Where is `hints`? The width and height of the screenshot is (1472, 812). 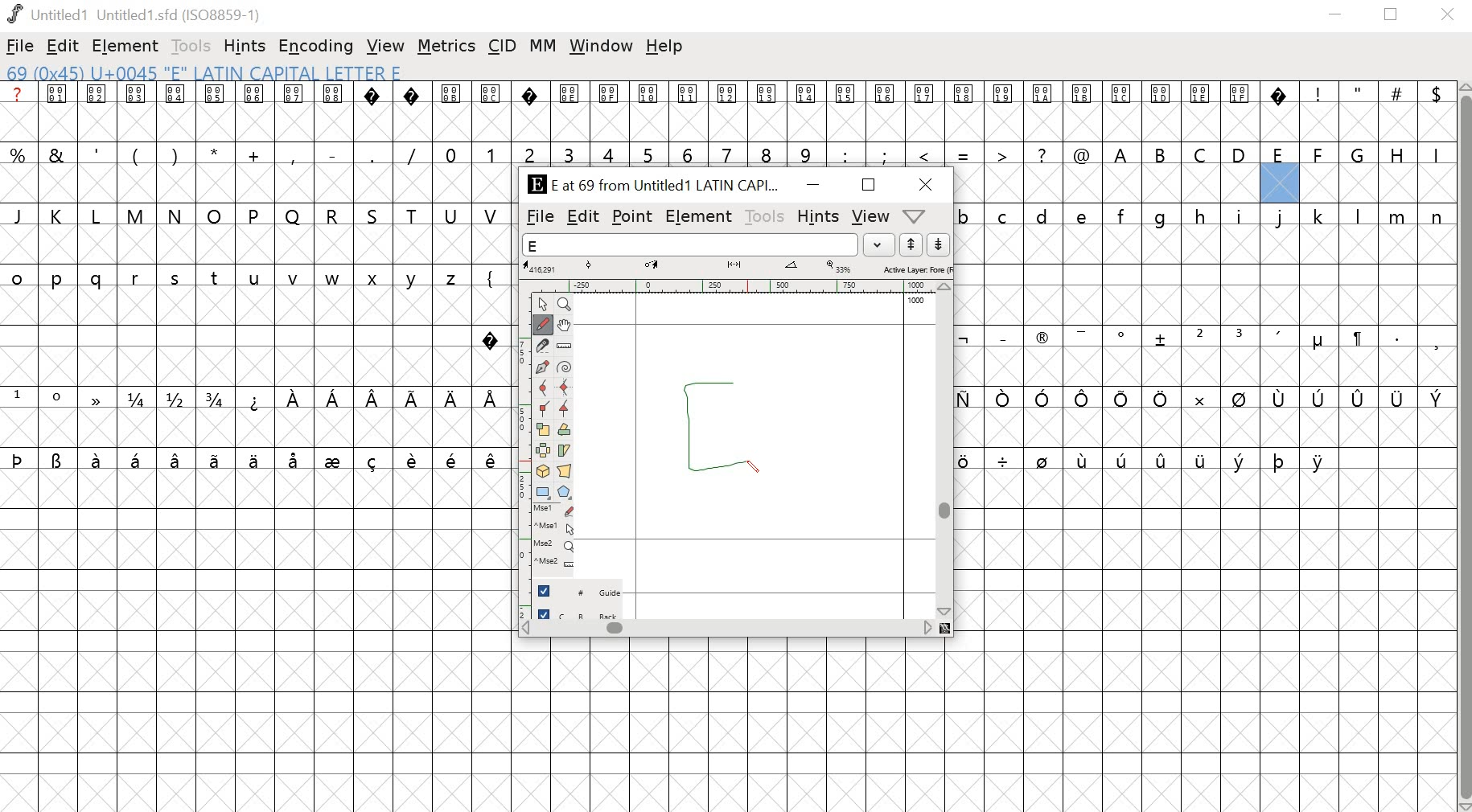 hints is located at coordinates (245, 47).